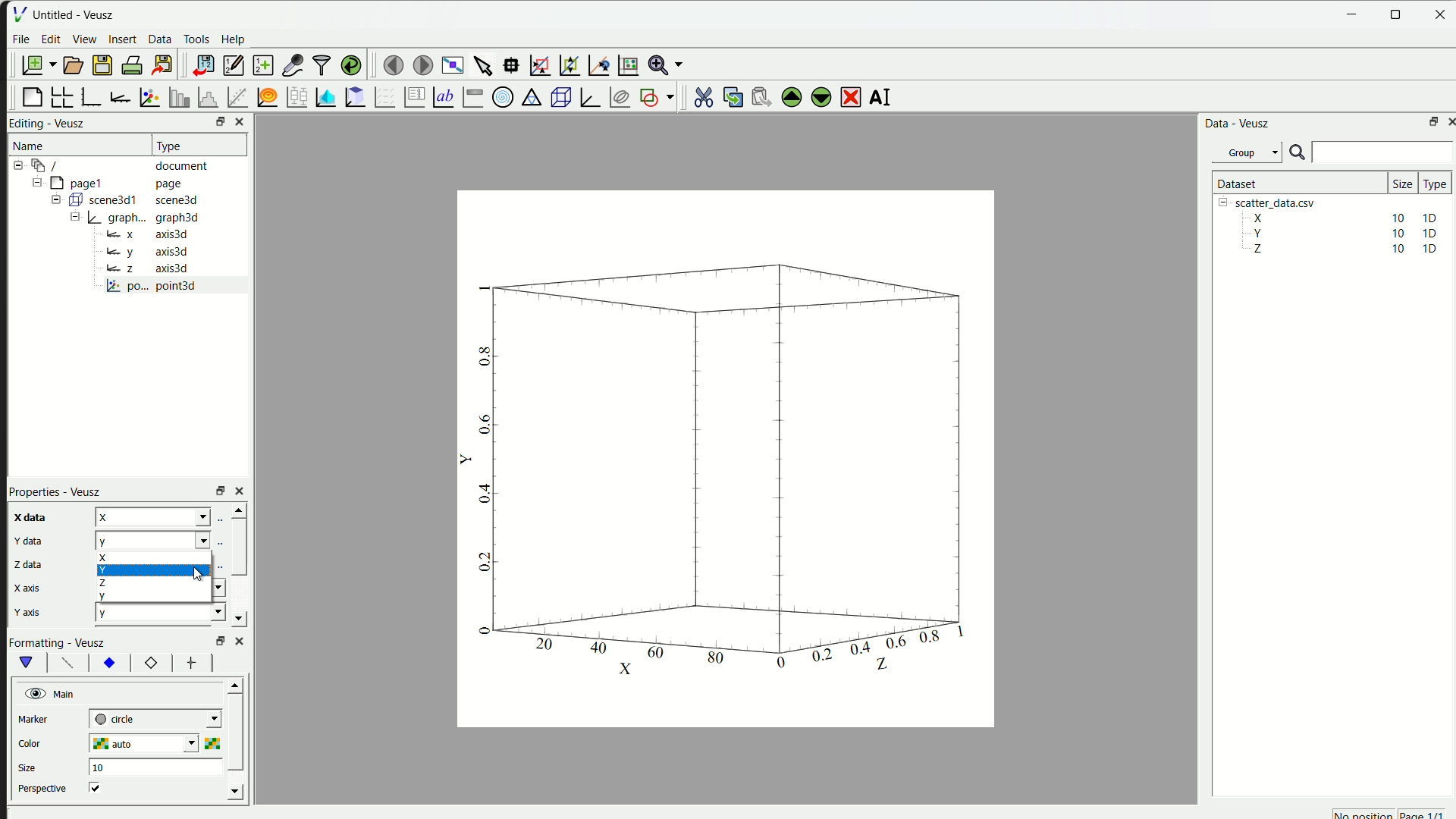 The width and height of the screenshot is (1456, 819). I want to click on add the shap to the plot, so click(656, 96).